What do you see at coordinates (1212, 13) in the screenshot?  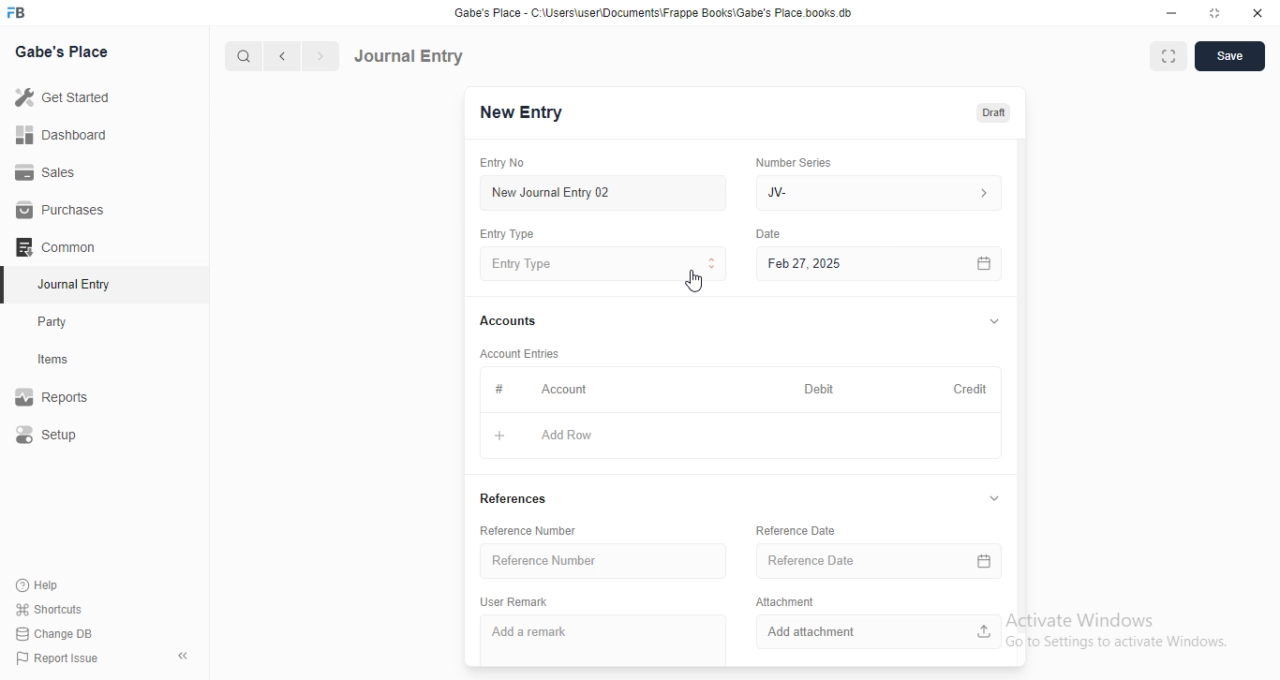 I see `Full screen` at bounding box center [1212, 13].